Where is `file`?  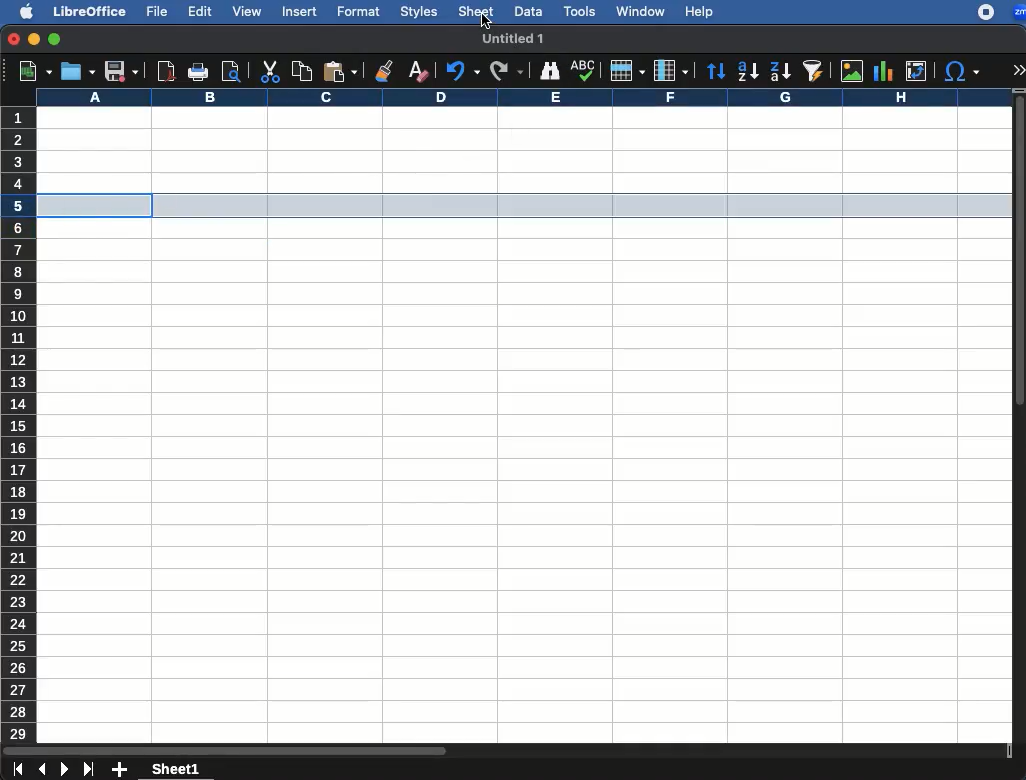
file is located at coordinates (156, 12).